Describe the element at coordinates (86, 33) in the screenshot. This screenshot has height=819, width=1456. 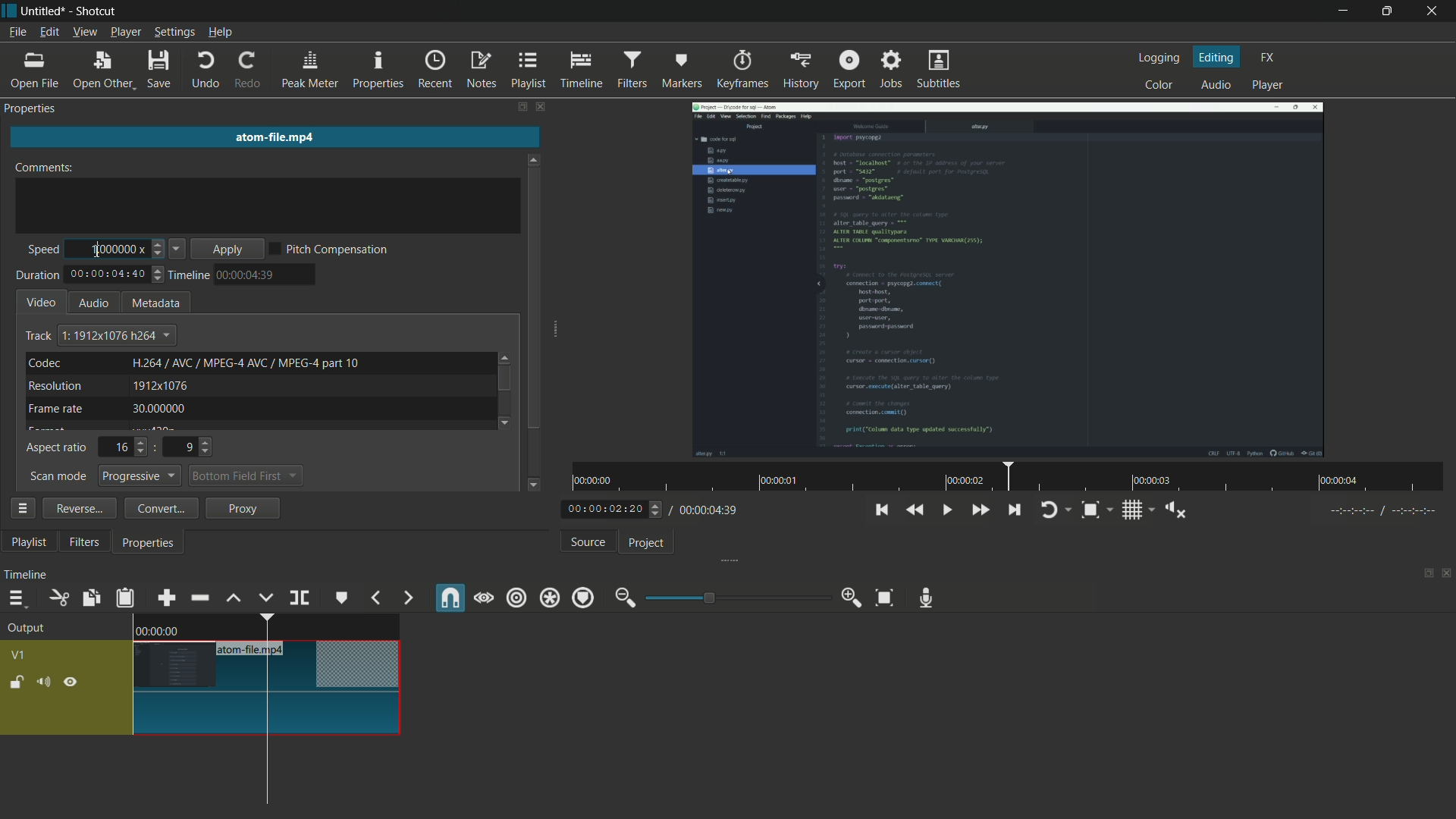
I see `view menu` at that location.